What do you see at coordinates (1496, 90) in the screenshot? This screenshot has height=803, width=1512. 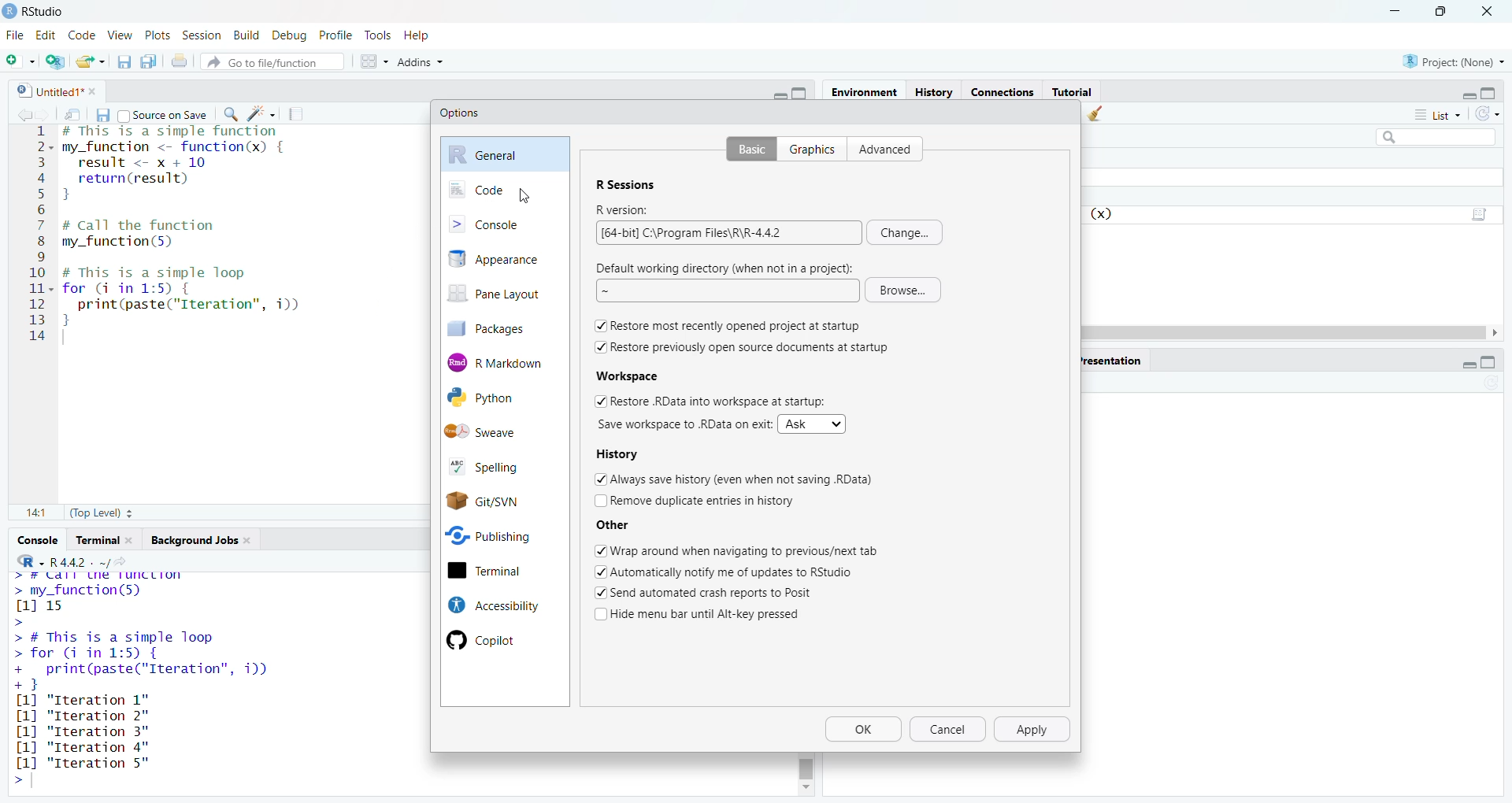 I see `maximize` at bounding box center [1496, 90].